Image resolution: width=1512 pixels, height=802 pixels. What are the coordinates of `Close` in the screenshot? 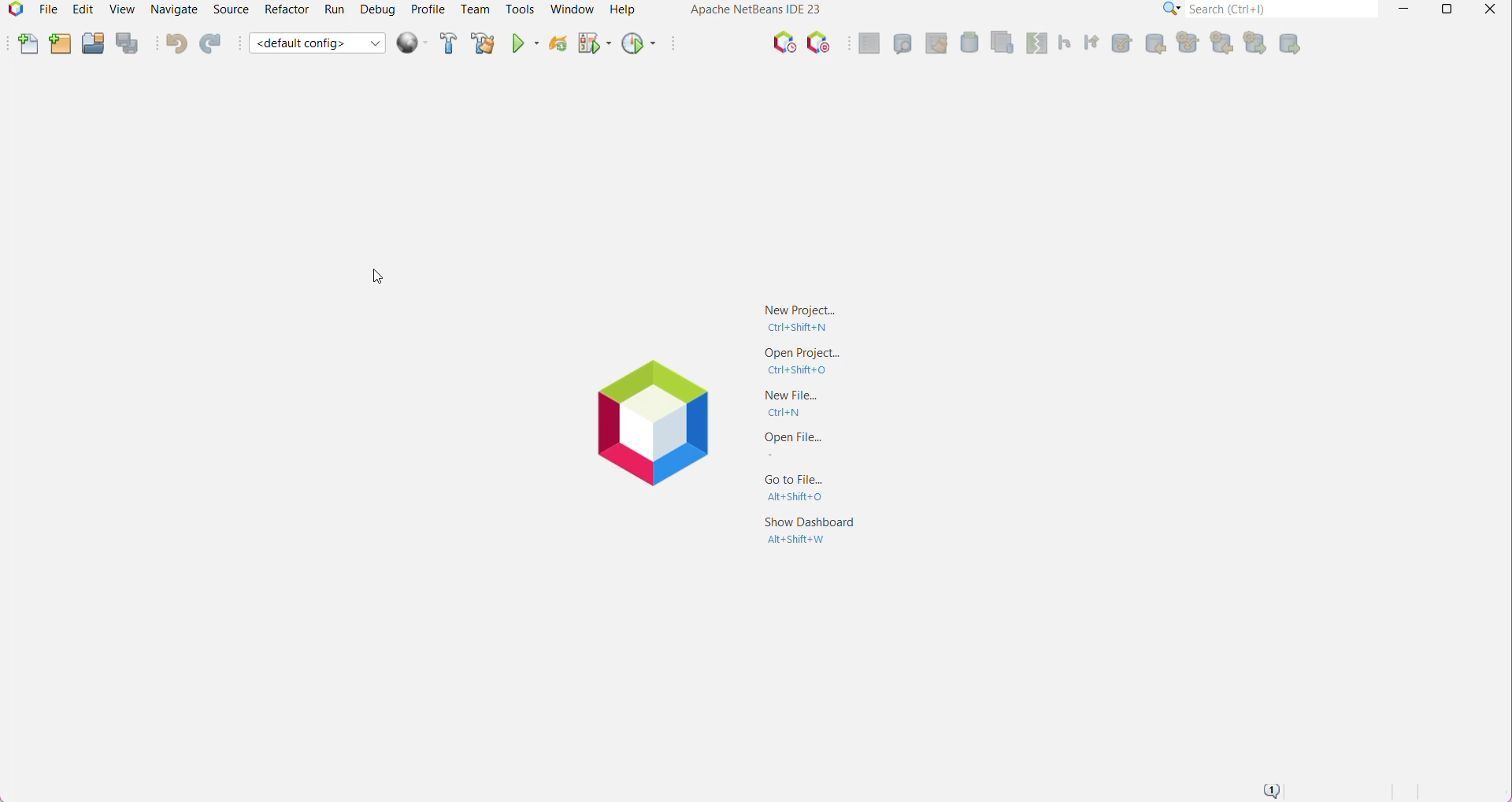 It's located at (1490, 10).